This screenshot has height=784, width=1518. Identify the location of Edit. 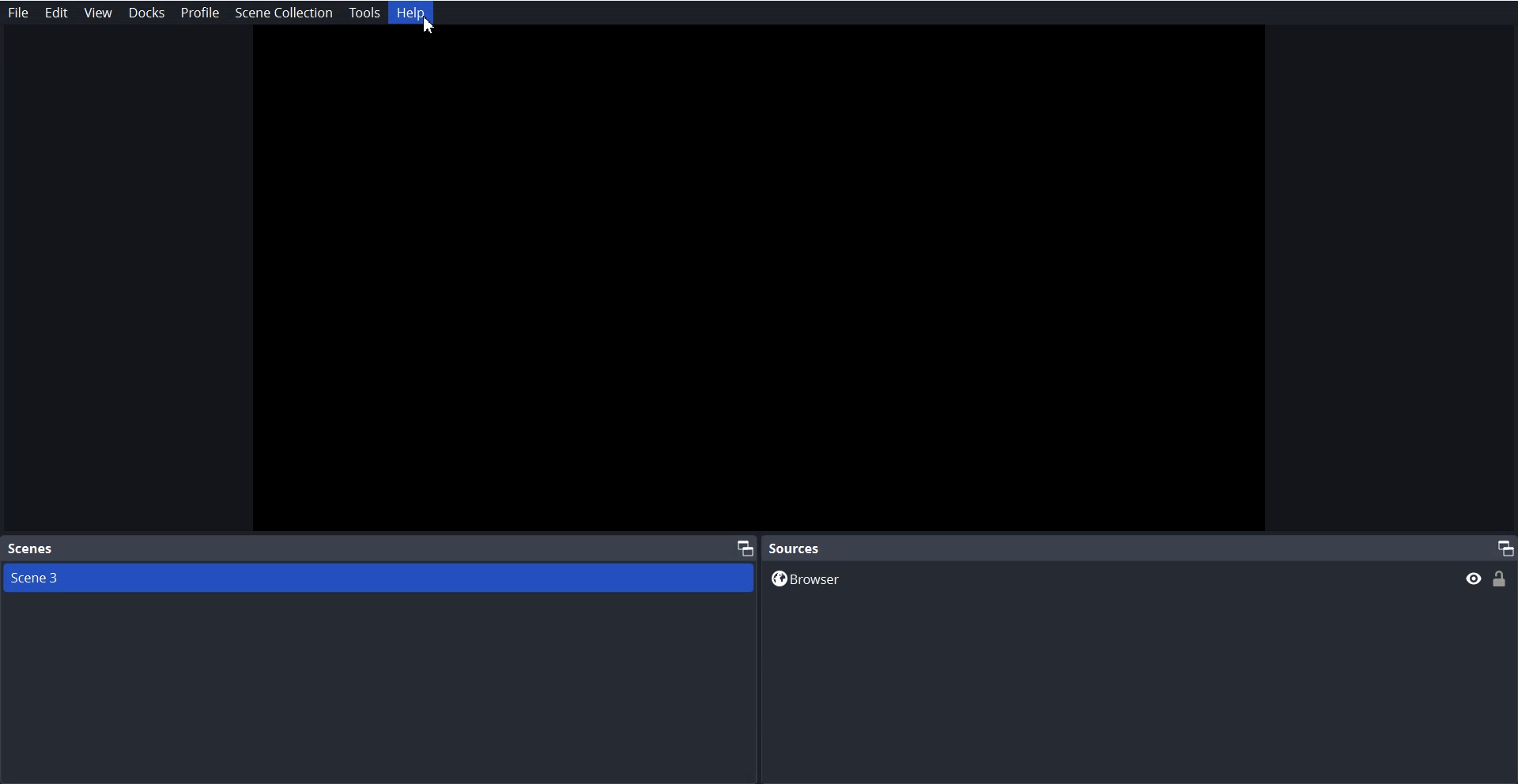
(56, 10).